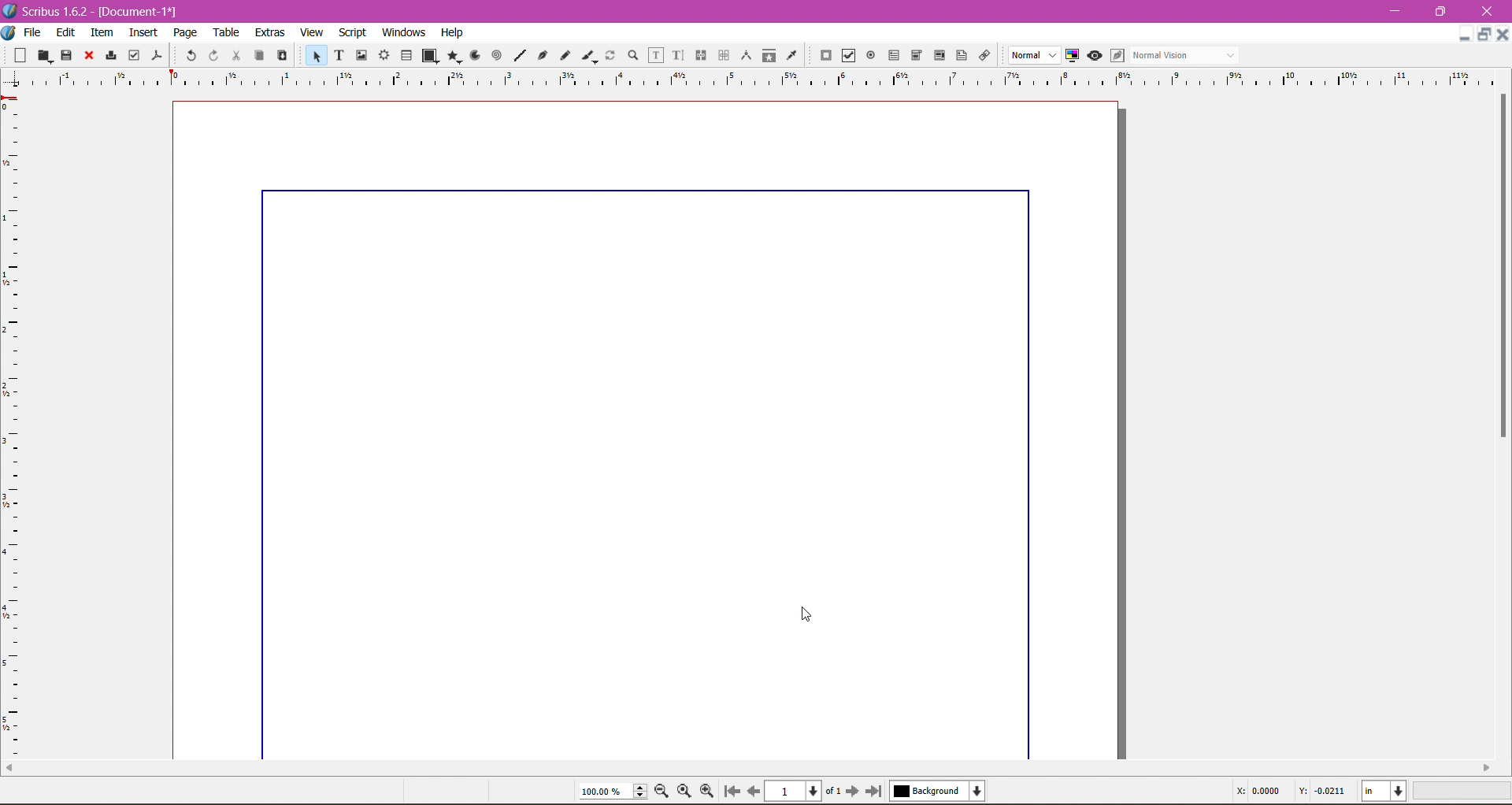 The height and width of the screenshot is (805, 1512). I want to click on Copy, so click(258, 54).